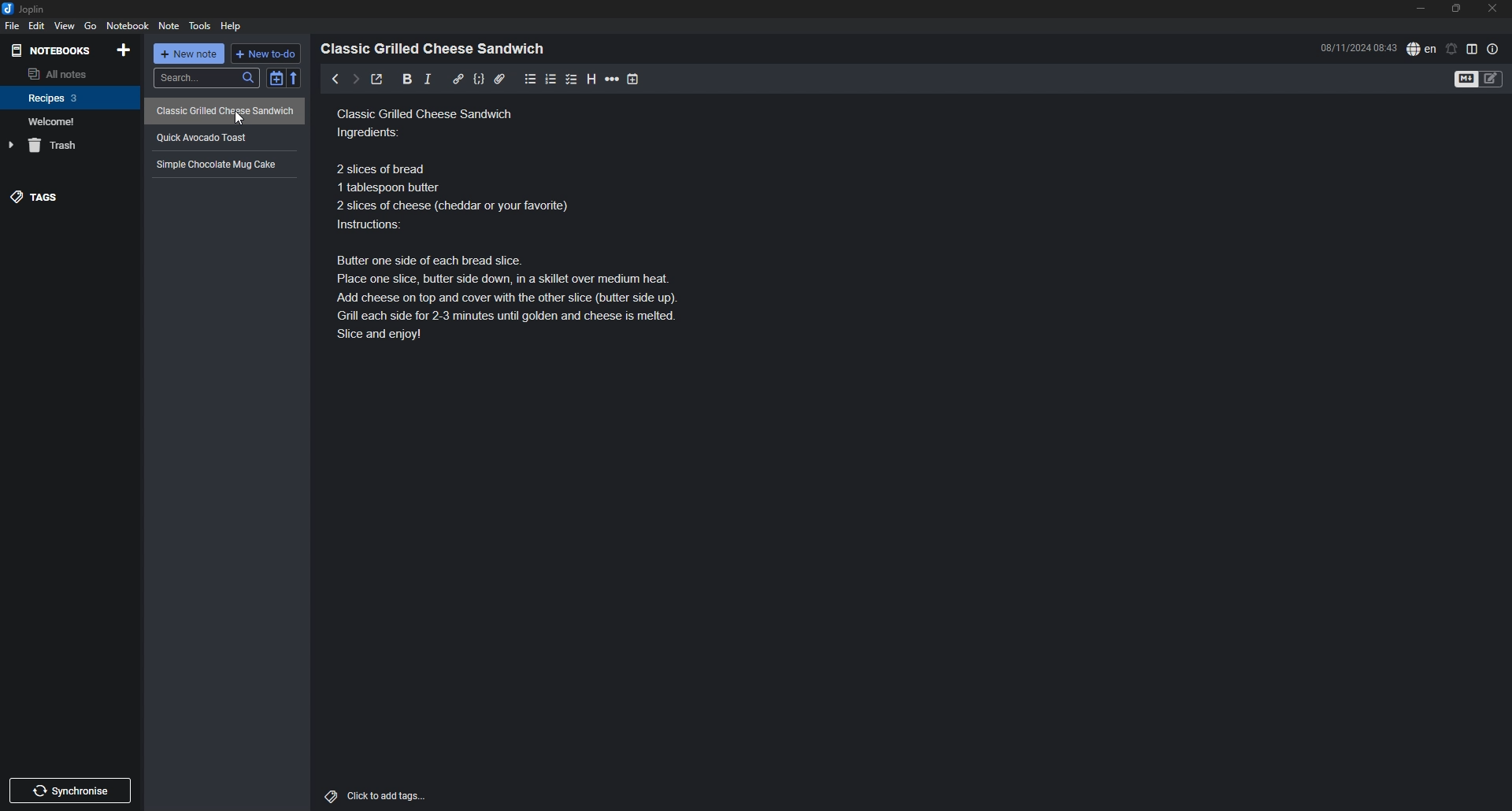 Image resolution: width=1512 pixels, height=811 pixels. What do you see at coordinates (53, 50) in the screenshot?
I see `notebooks` at bounding box center [53, 50].